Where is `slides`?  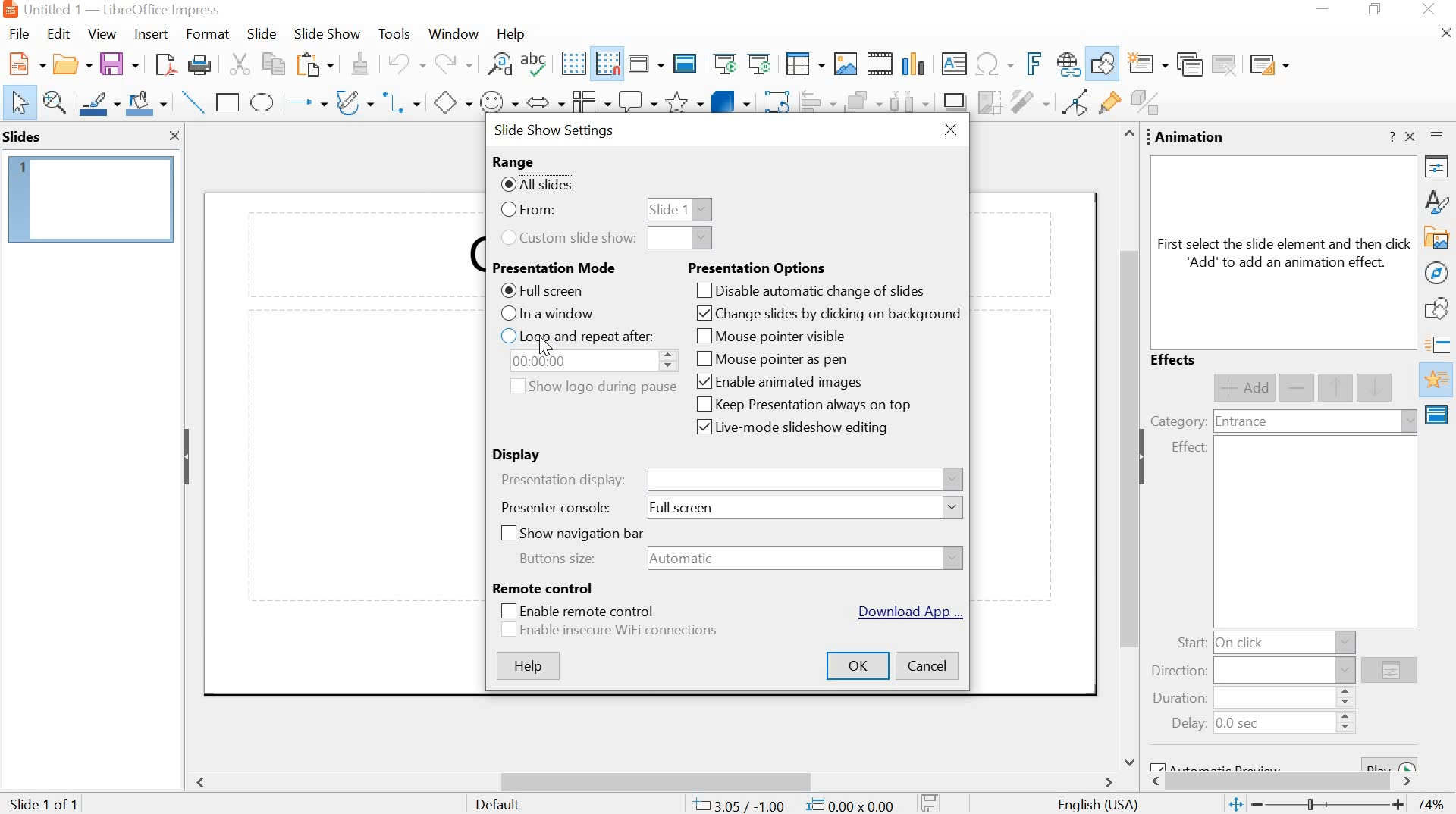 slides is located at coordinates (25, 136).